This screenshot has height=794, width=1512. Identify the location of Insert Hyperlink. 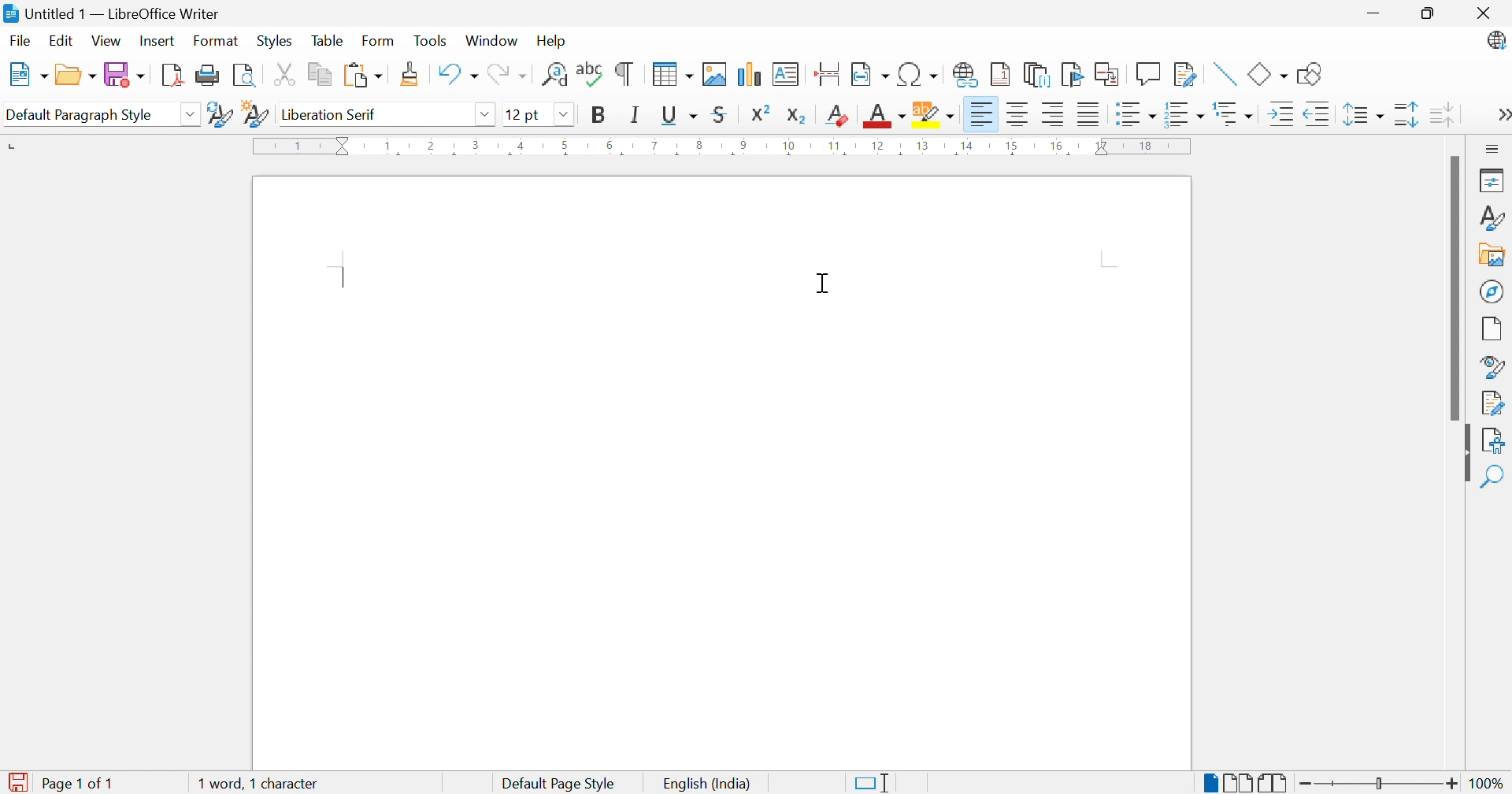
(963, 74).